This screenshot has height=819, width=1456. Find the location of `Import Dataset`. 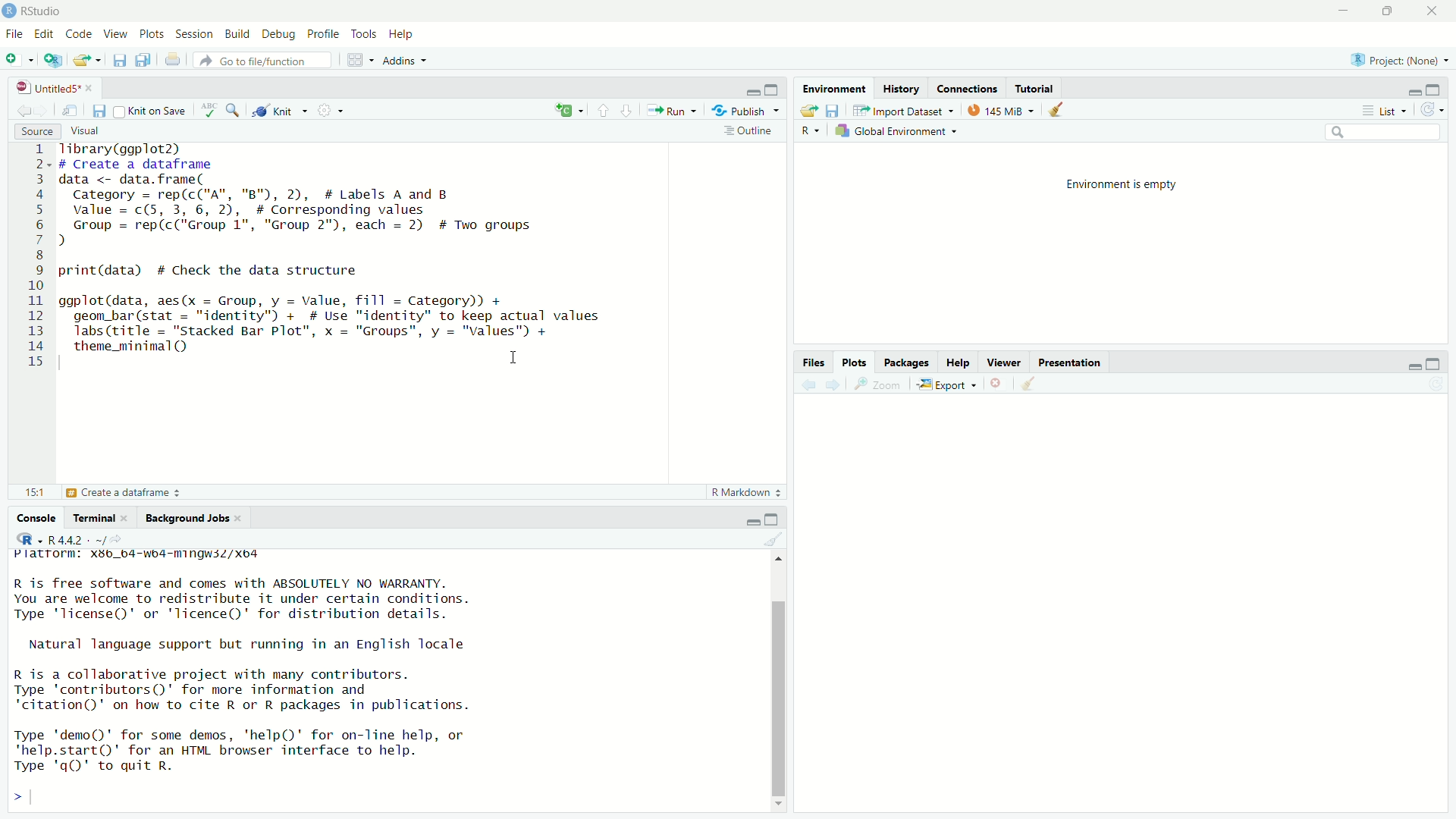

Import Dataset is located at coordinates (904, 110).